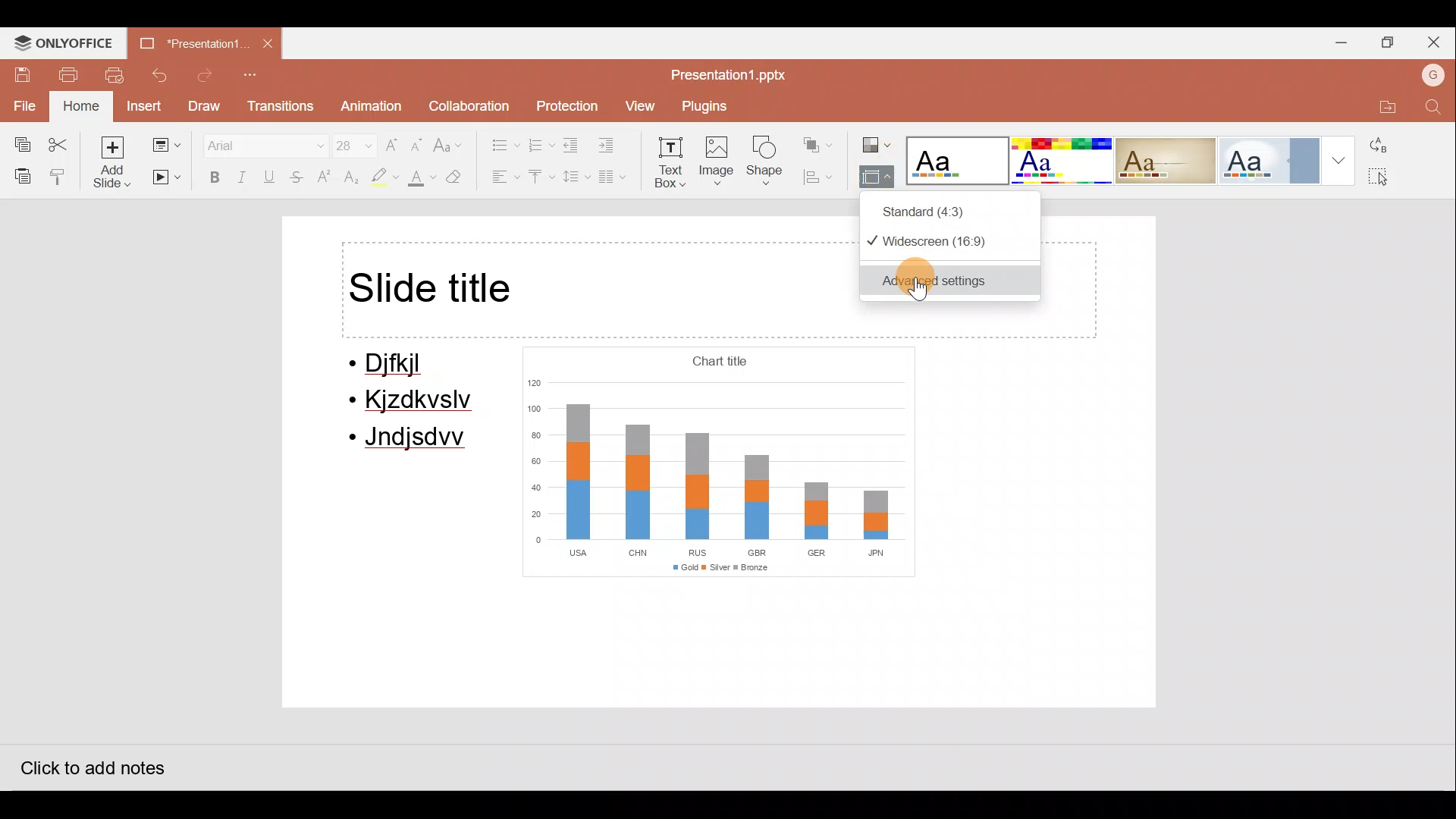  What do you see at coordinates (18, 73) in the screenshot?
I see `Save` at bounding box center [18, 73].